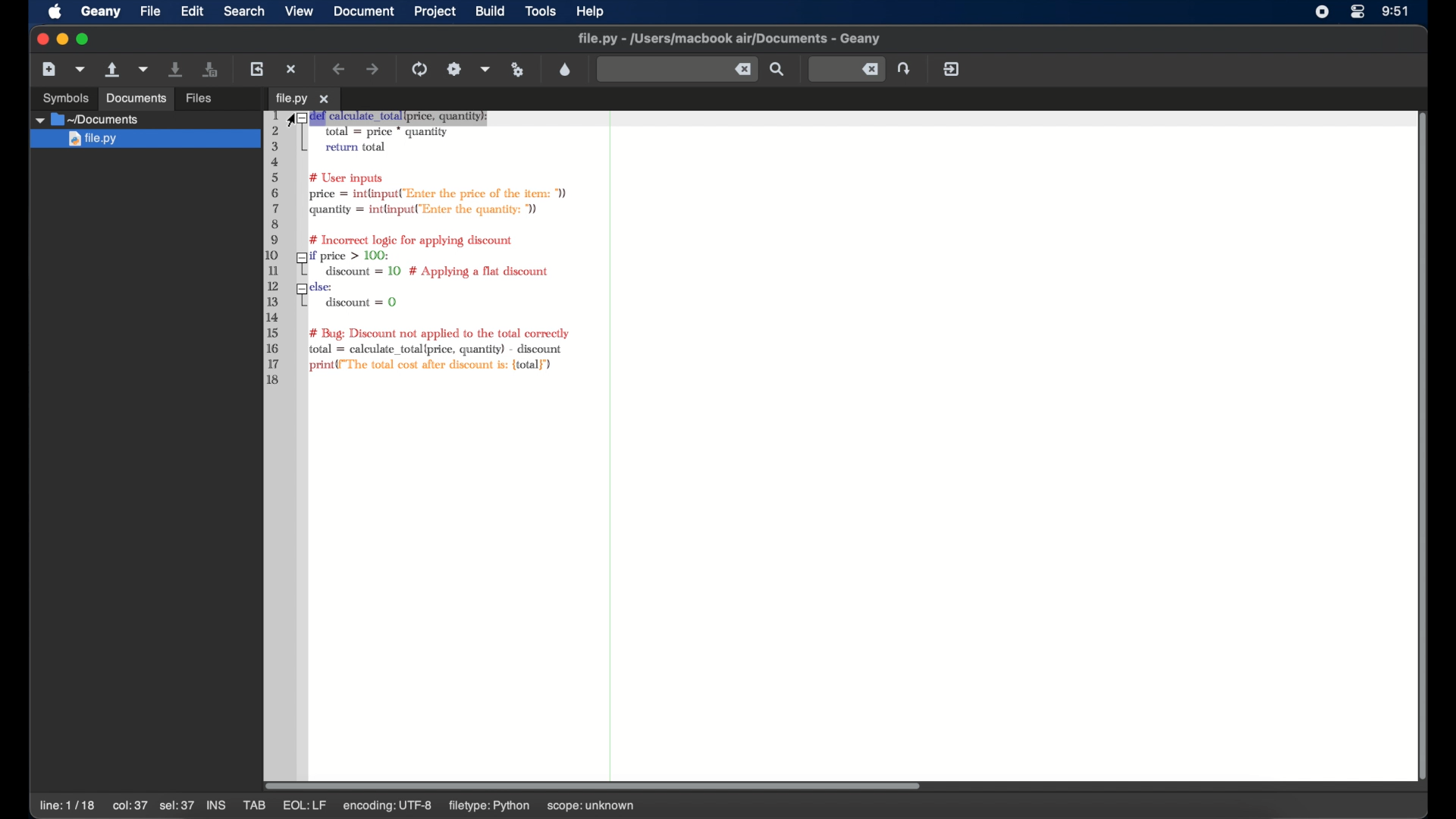  Describe the element at coordinates (67, 805) in the screenshot. I see `line: 1/18` at that location.